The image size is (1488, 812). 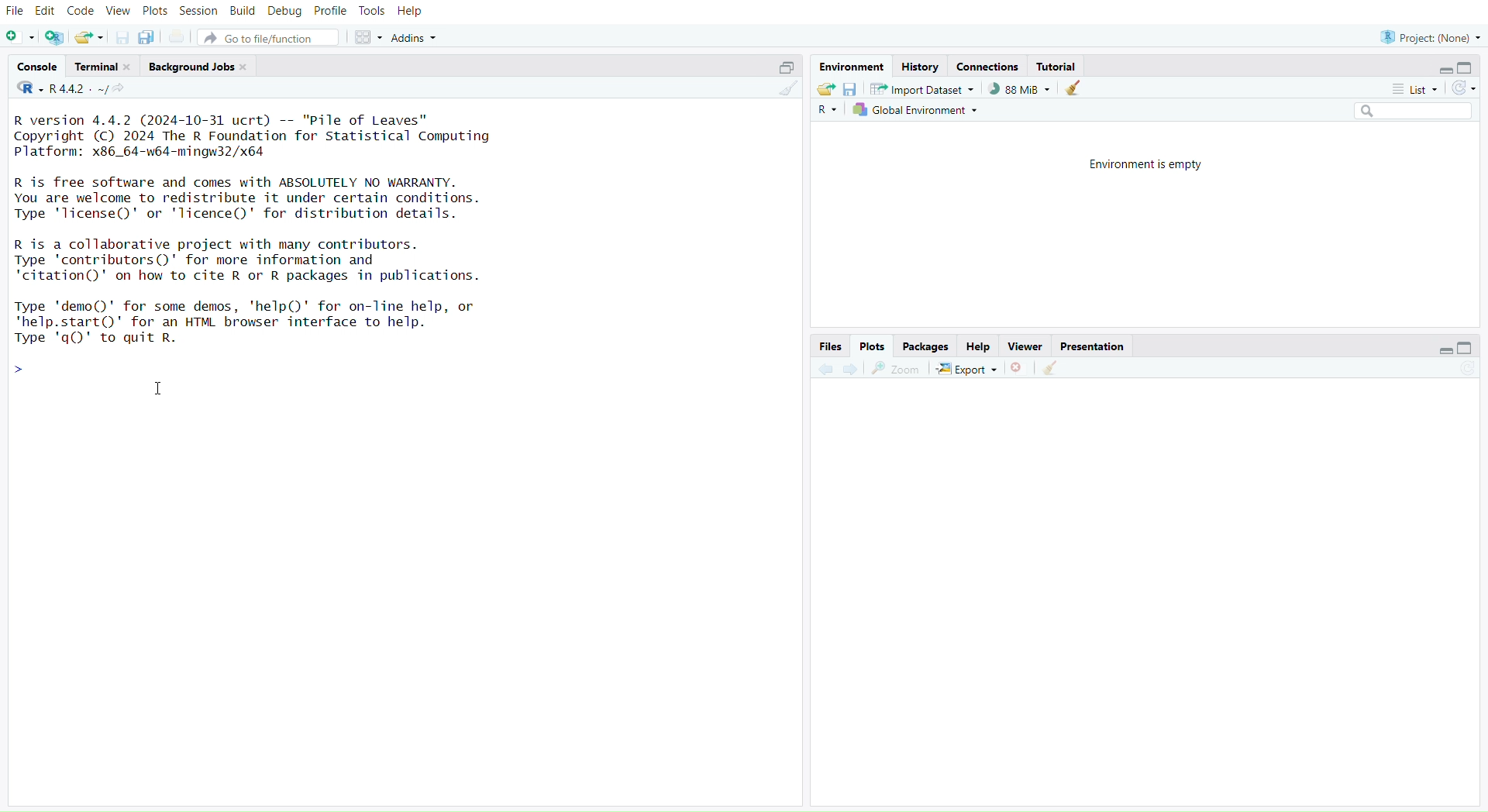 What do you see at coordinates (123, 39) in the screenshot?
I see `save current document` at bounding box center [123, 39].